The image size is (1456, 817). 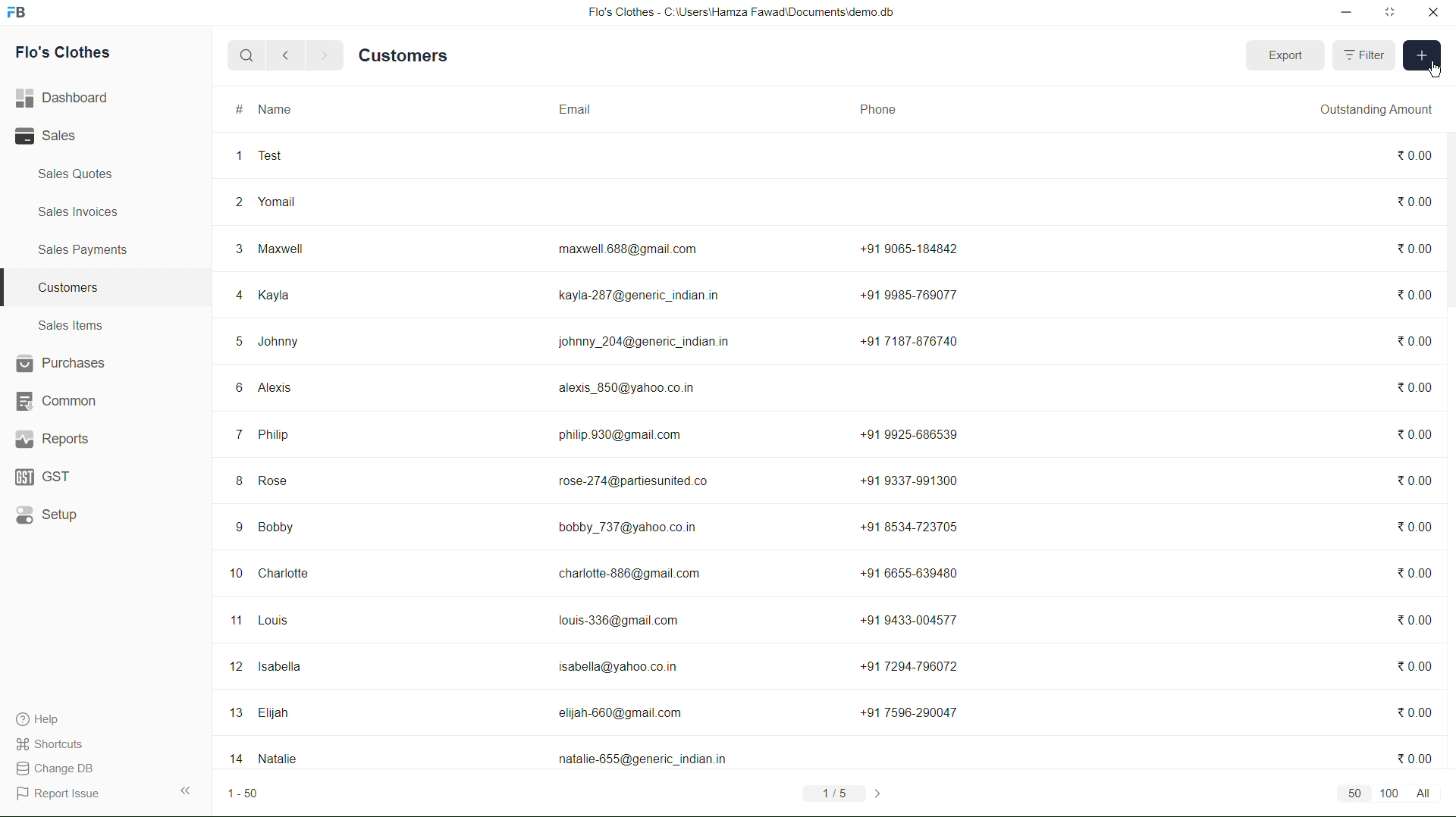 What do you see at coordinates (910, 478) in the screenshot?
I see `+91 9337-991300` at bounding box center [910, 478].